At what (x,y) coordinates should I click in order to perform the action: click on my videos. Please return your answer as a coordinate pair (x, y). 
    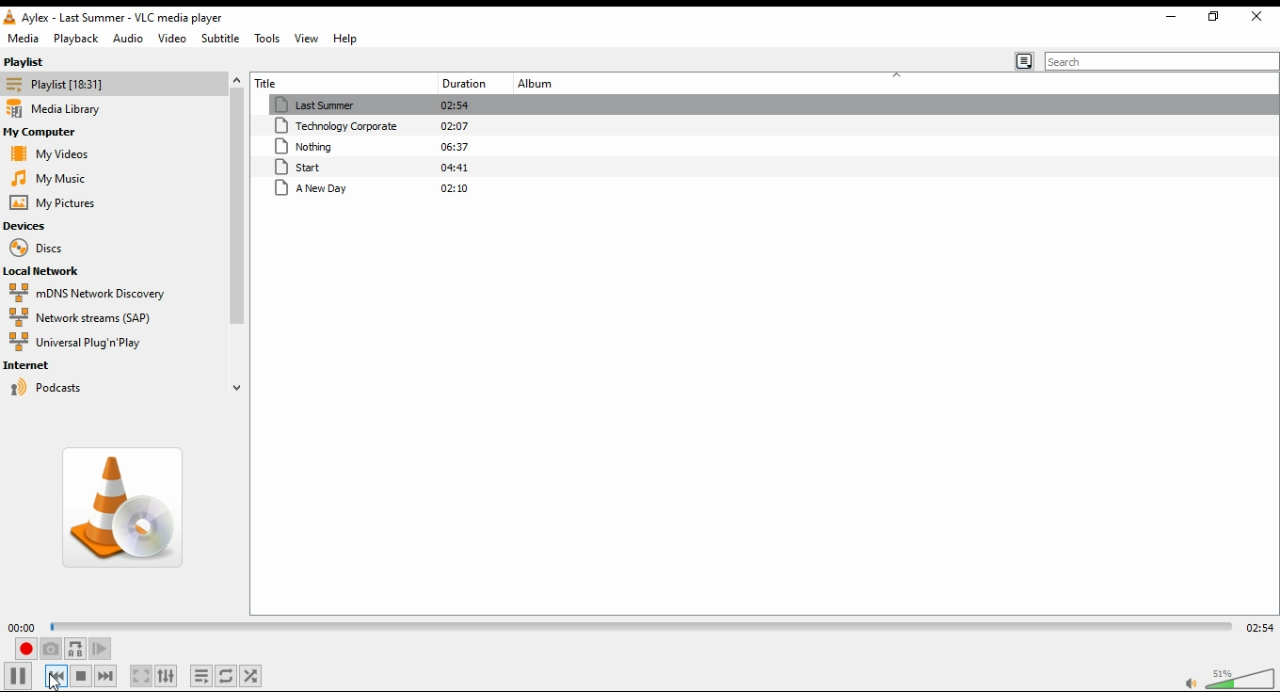
    Looking at the image, I should click on (56, 153).